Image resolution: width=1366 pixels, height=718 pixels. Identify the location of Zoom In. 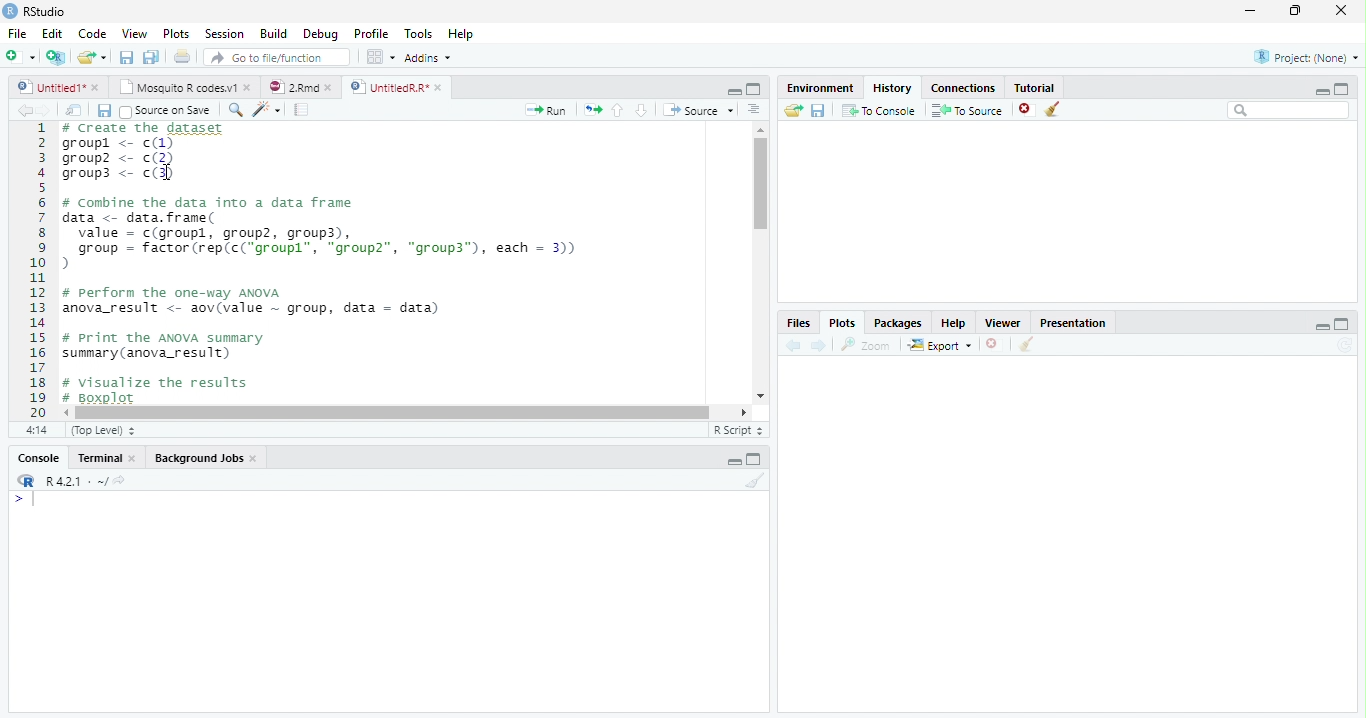
(234, 111).